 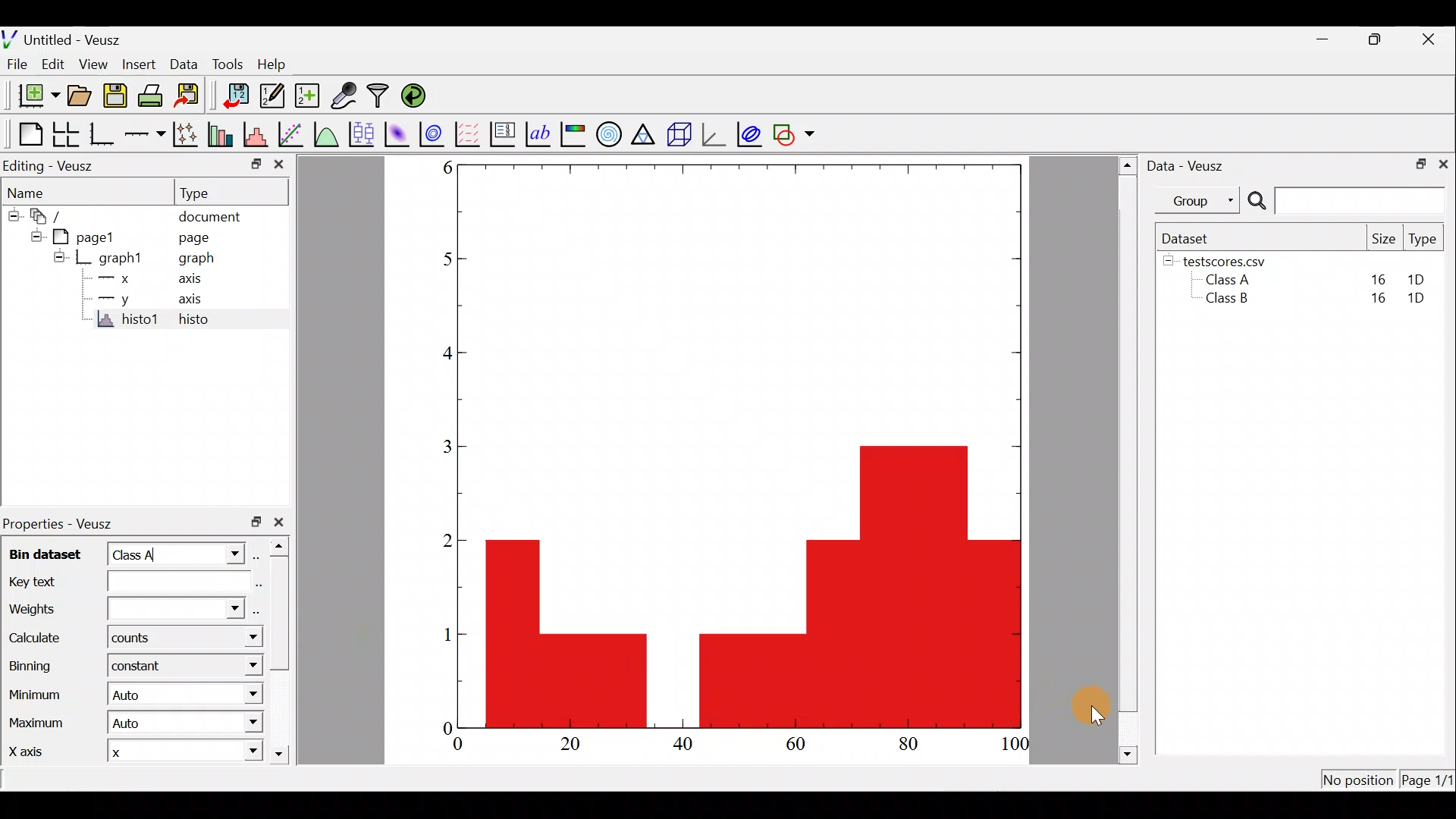 I want to click on histogram plot inserted, so click(x=761, y=585).